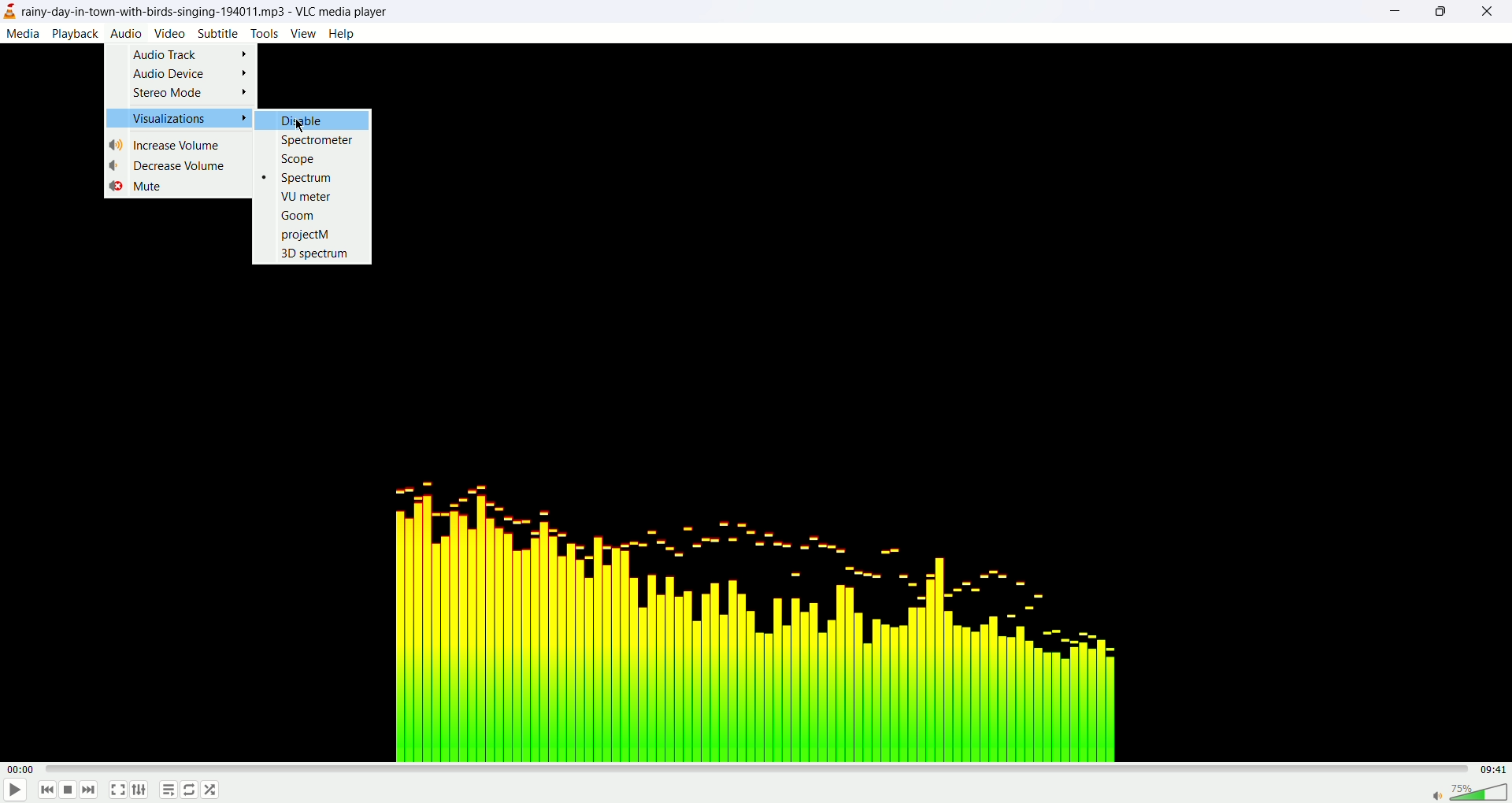  What do you see at coordinates (300, 124) in the screenshot?
I see `cursor` at bounding box center [300, 124].